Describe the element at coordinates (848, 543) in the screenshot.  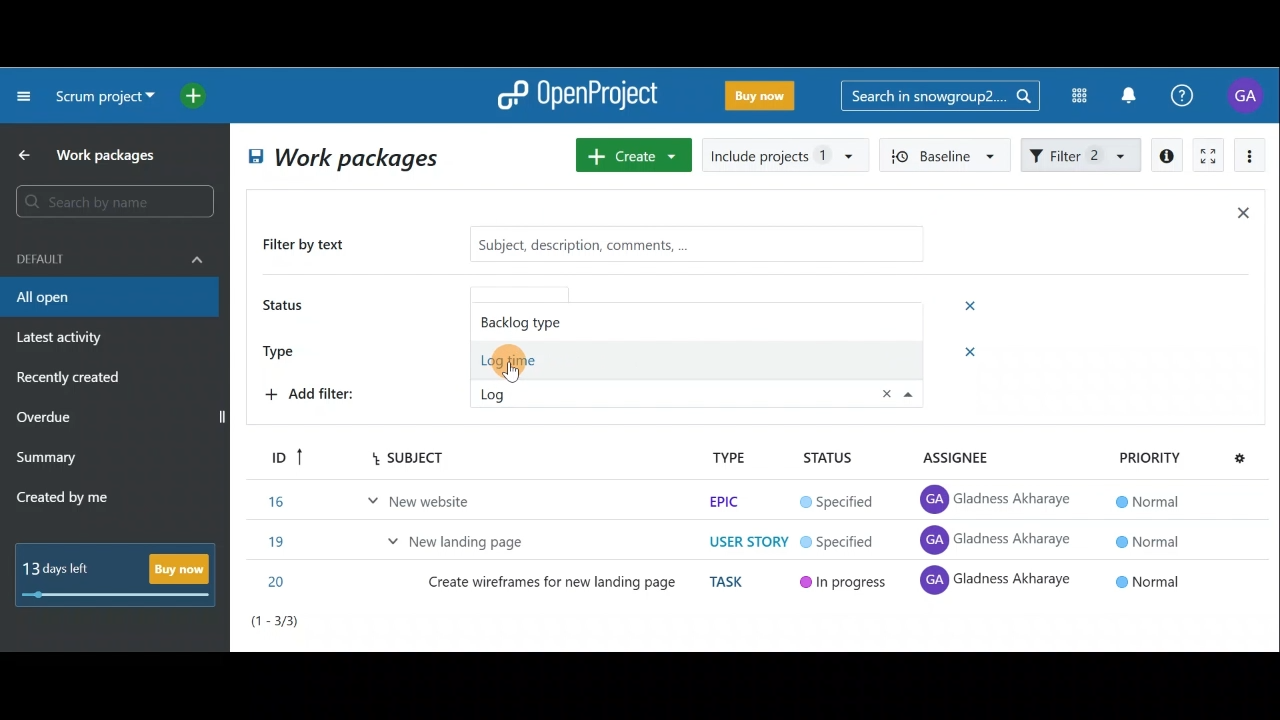
I see `Gladnes:` at that location.